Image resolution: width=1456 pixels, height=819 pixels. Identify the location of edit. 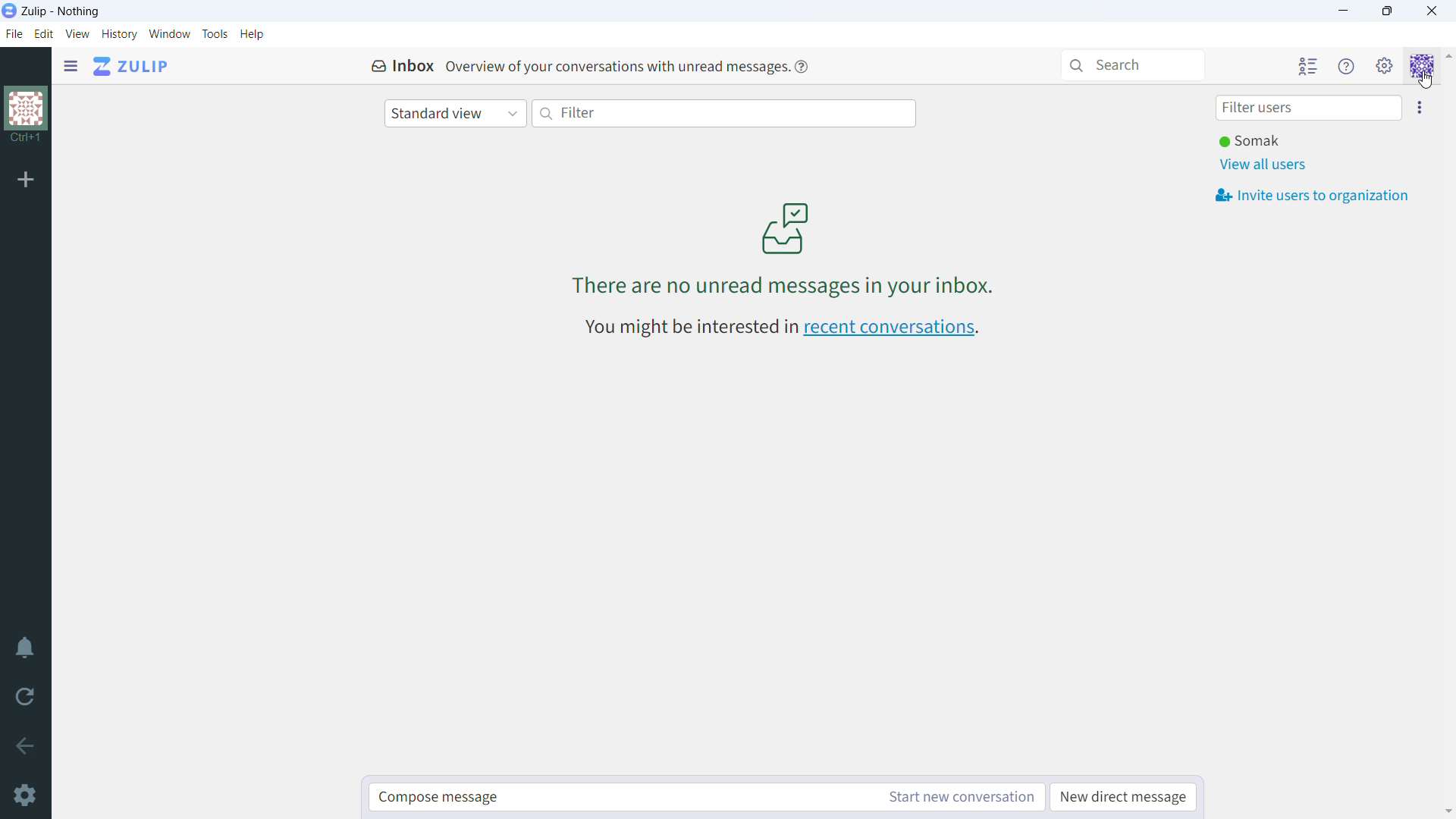
(44, 34).